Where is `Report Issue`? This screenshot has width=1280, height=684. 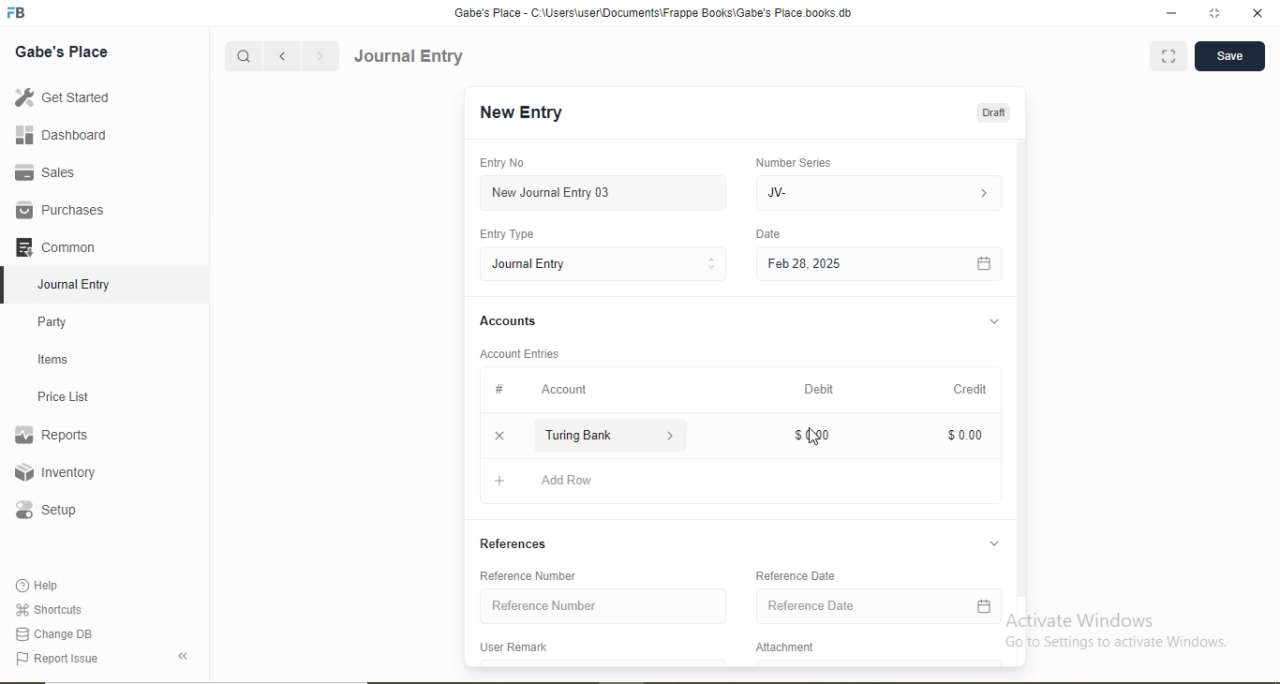
Report Issue is located at coordinates (56, 659).